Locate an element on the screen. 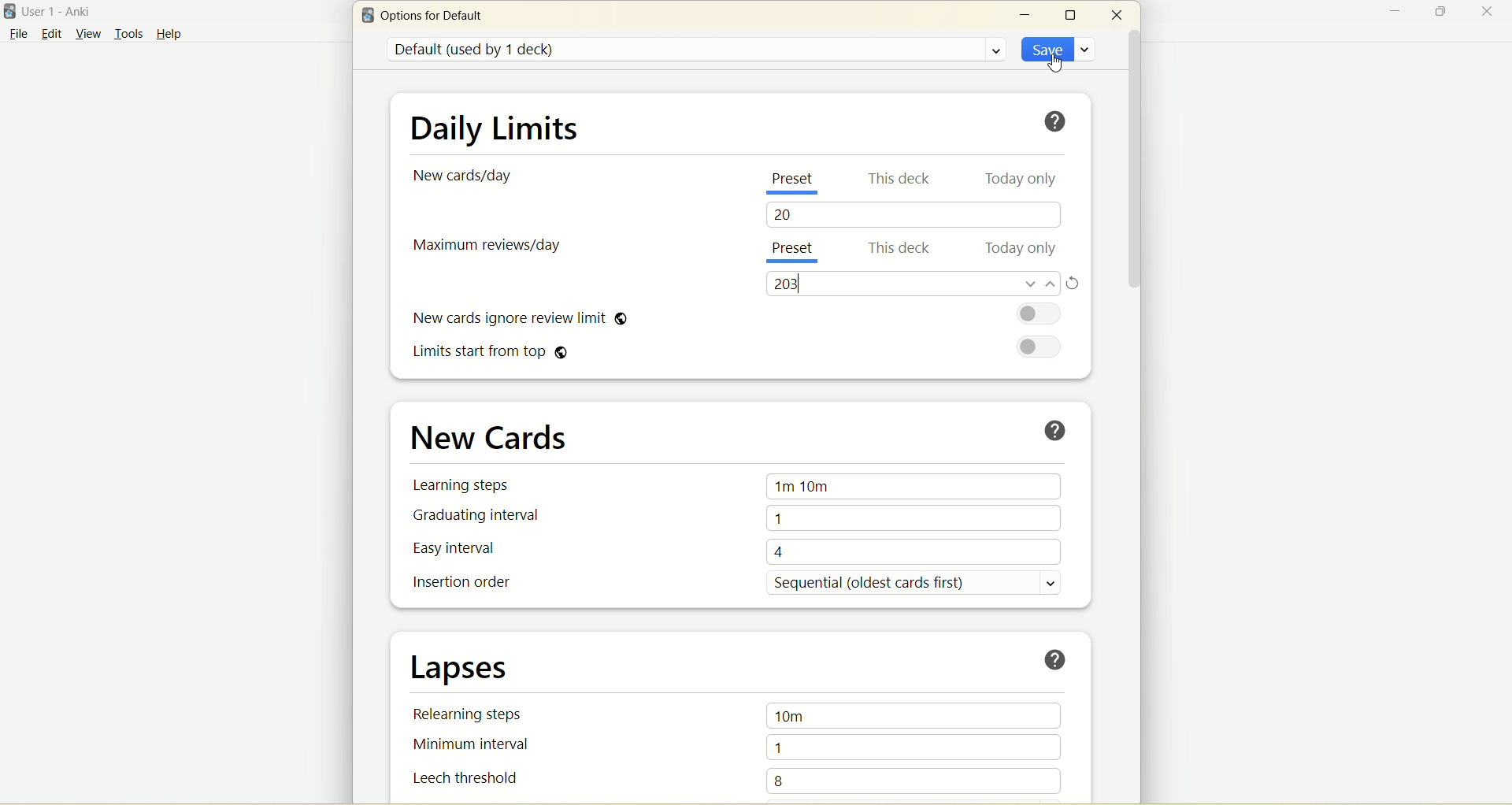 The image size is (1512, 805). daily limit is located at coordinates (491, 128).